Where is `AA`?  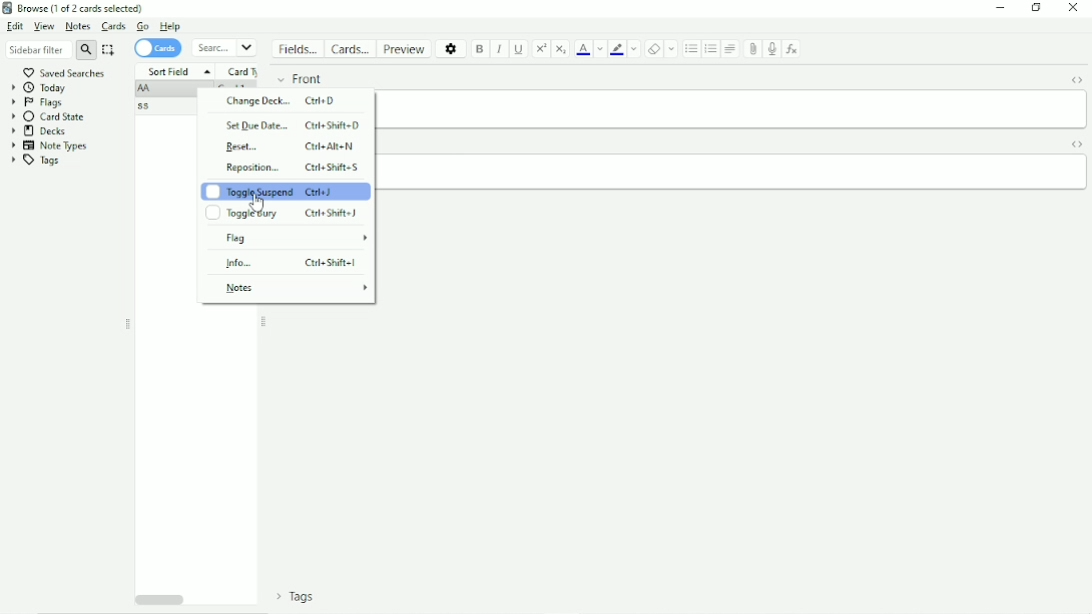 AA is located at coordinates (145, 89).